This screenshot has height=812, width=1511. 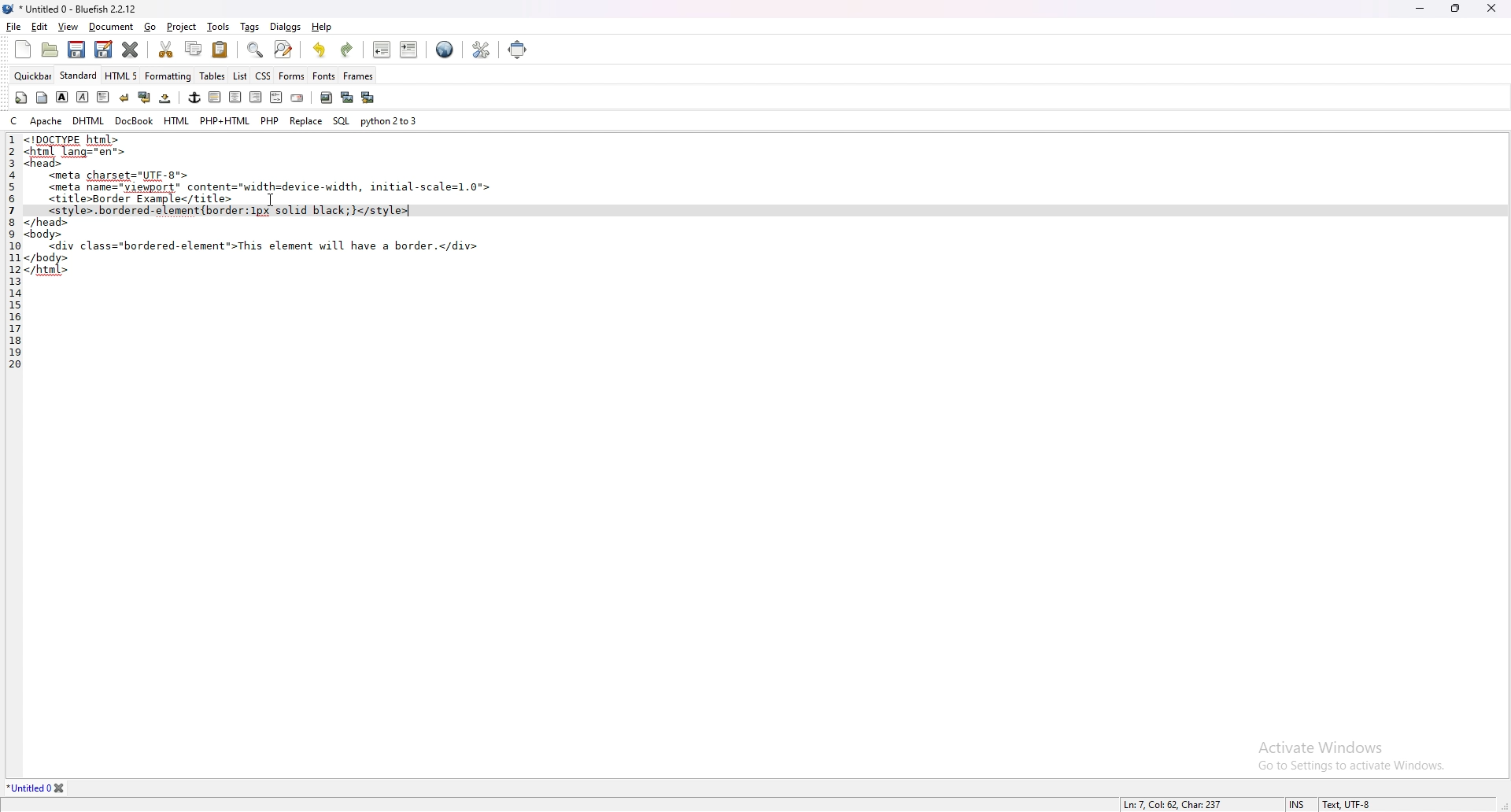 What do you see at coordinates (257, 50) in the screenshot?
I see `show find bar` at bounding box center [257, 50].